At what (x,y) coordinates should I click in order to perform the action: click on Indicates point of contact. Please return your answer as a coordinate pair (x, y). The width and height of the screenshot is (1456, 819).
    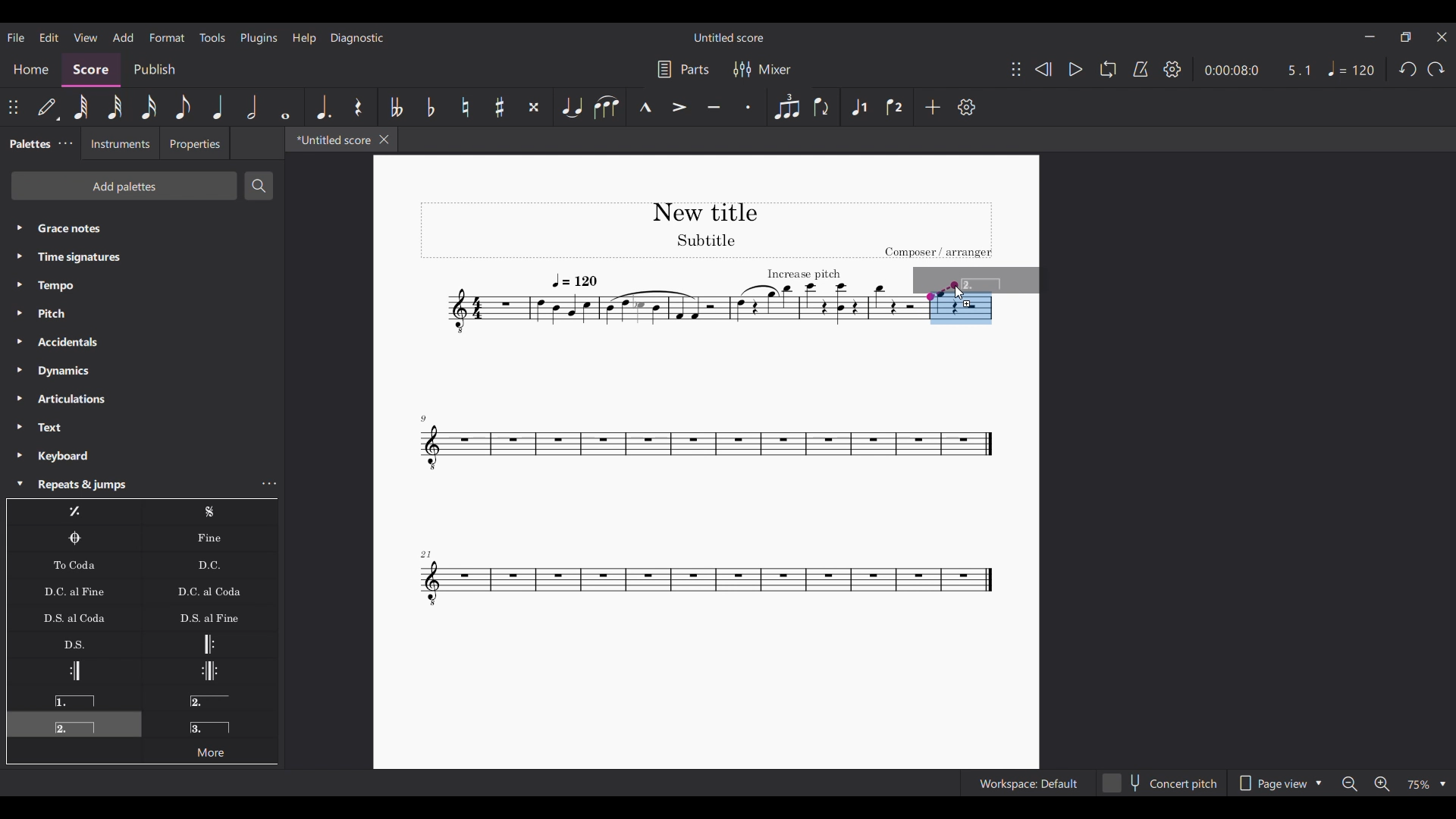
    Looking at the image, I should click on (942, 291).